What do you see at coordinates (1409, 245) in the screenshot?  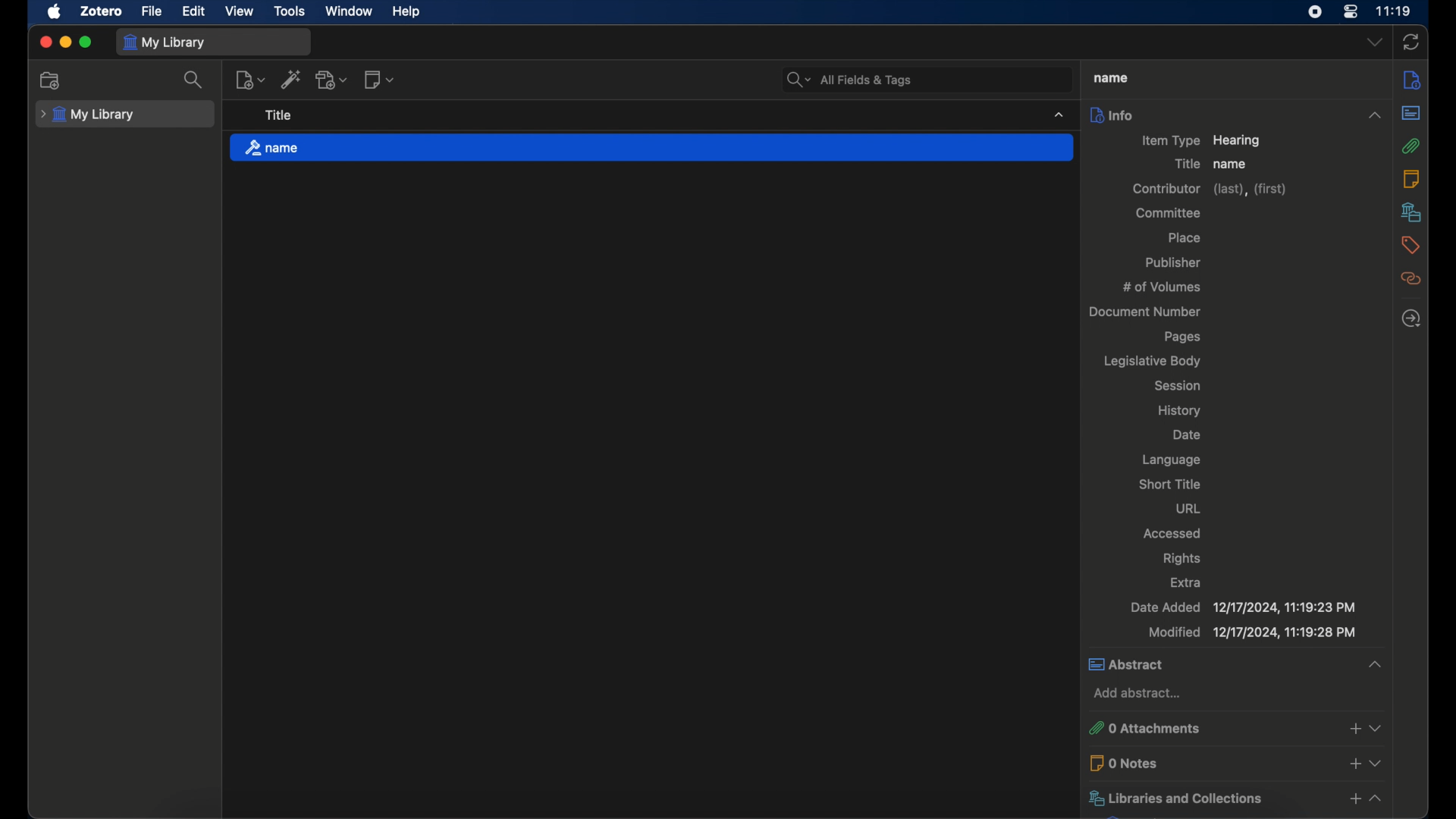 I see `tags` at bounding box center [1409, 245].